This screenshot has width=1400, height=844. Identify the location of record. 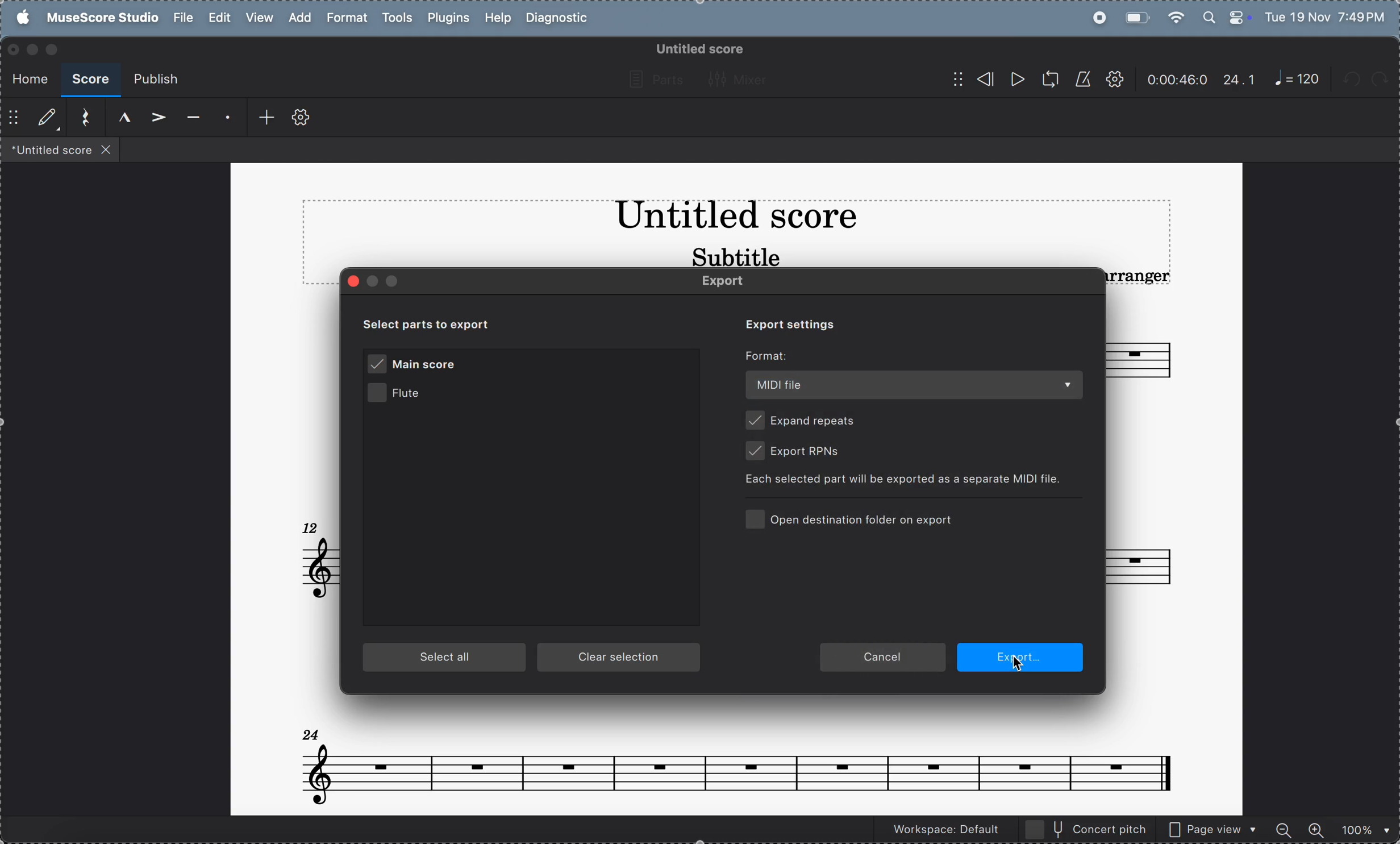
(1096, 18).